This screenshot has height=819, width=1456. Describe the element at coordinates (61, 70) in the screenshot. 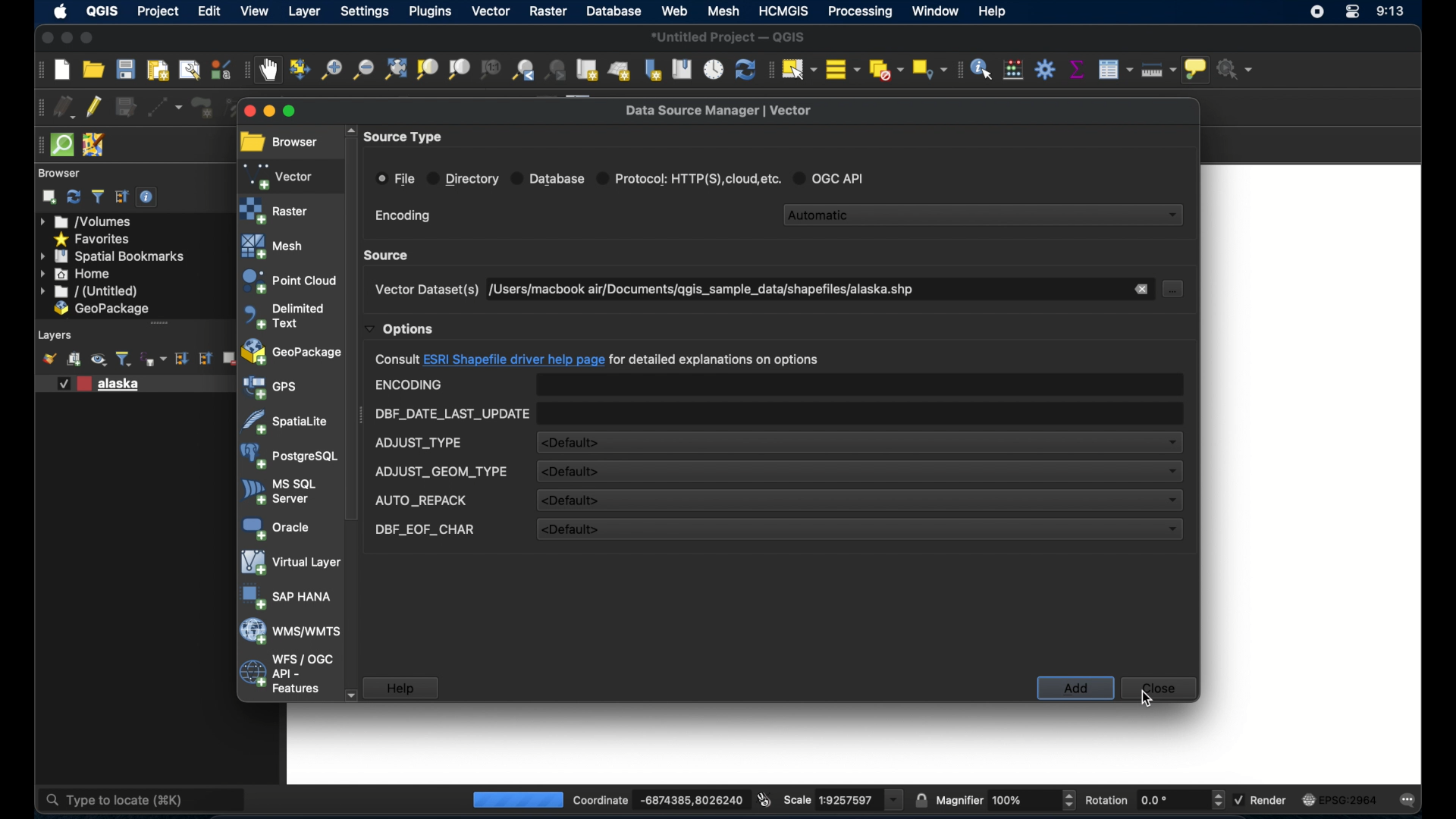

I see `new project` at that location.